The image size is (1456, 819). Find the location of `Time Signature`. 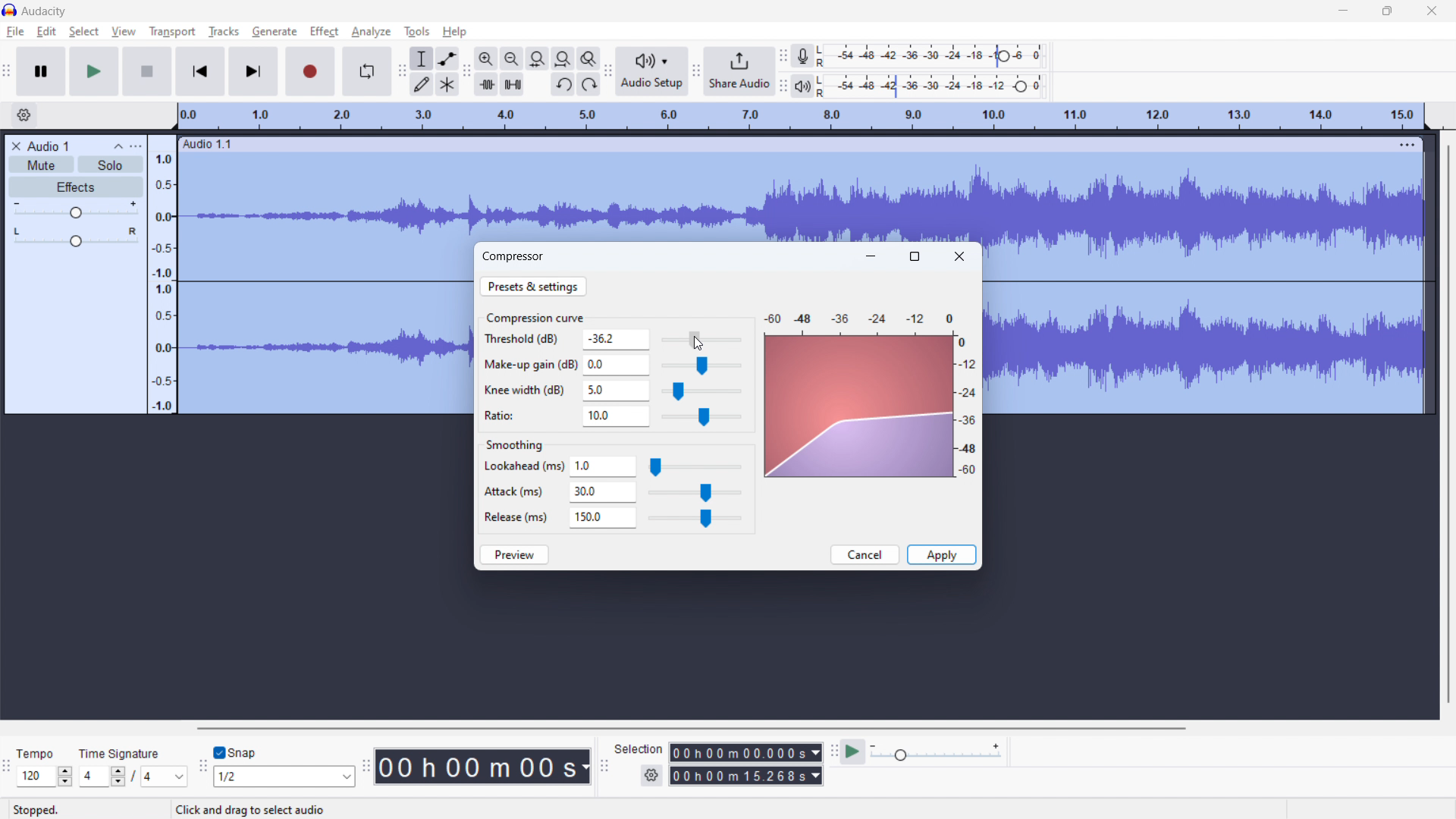

Time Signature is located at coordinates (121, 750).